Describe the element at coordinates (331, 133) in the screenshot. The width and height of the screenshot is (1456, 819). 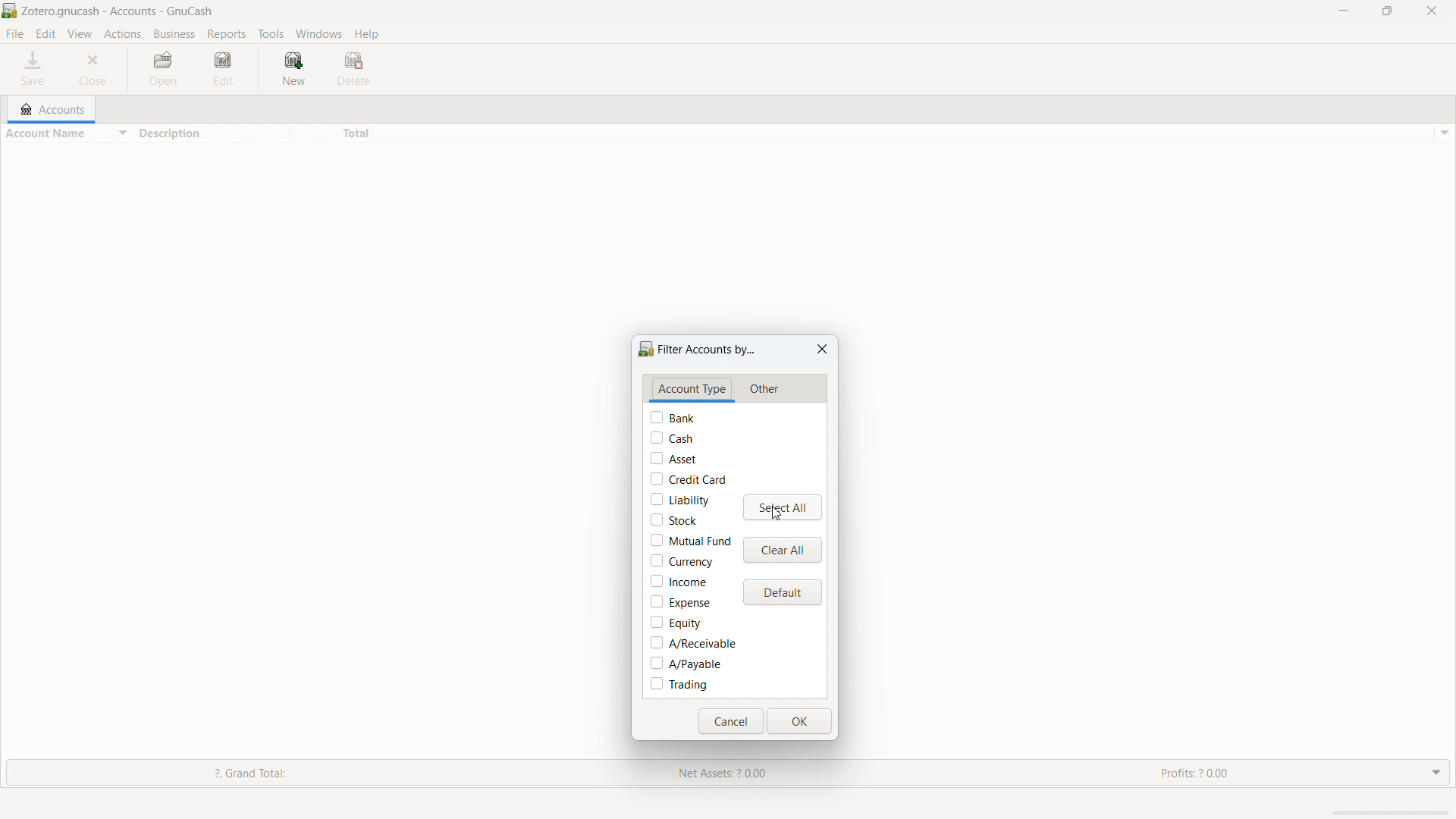
I see `total` at that location.